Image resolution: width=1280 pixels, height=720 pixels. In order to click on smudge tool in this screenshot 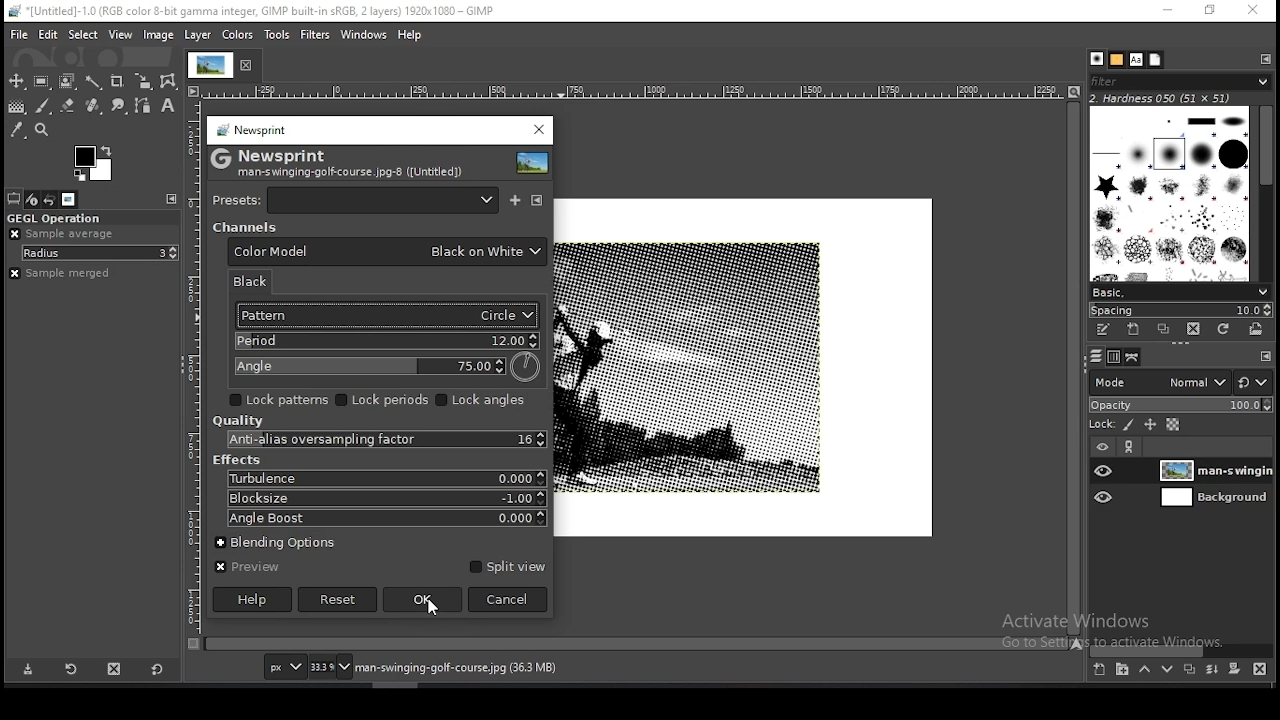, I will do `click(119, 105)`.